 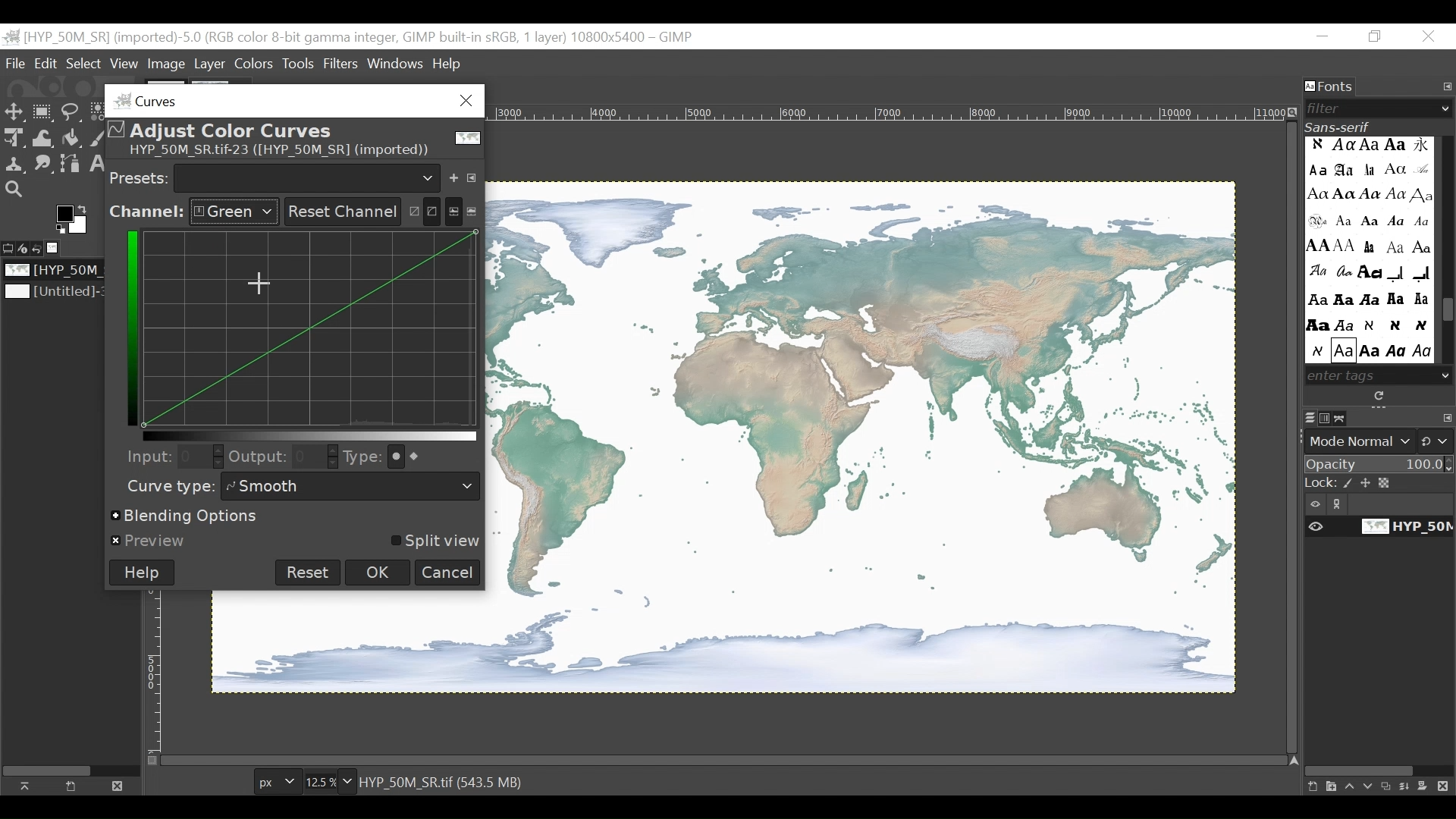 What do you see at coordinates (71, 165) in the screenshot?
I see `Paths Tool` at bounding box center [71, 165].